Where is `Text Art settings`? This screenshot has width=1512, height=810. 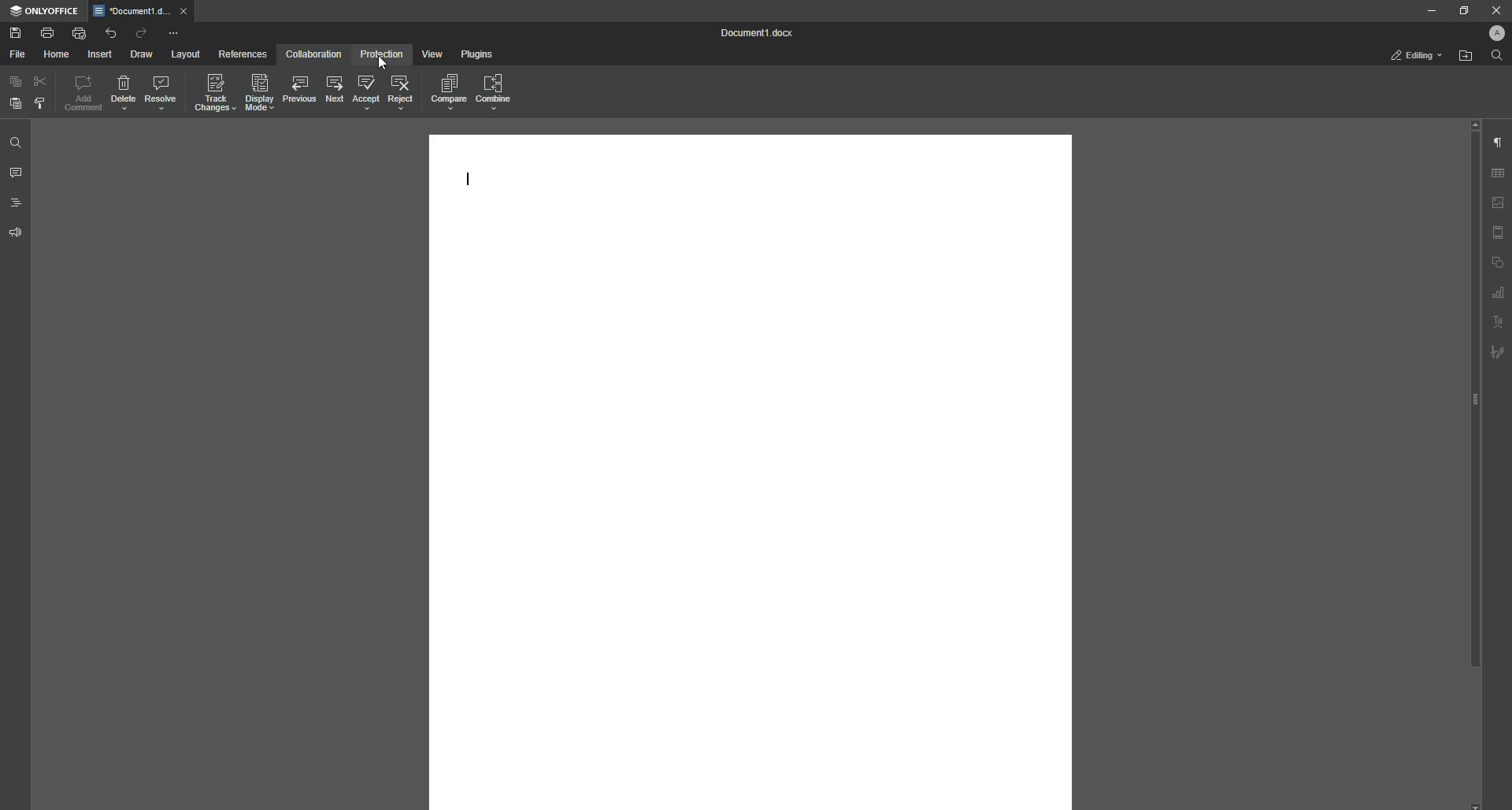 Text Art settings is located at coordinates (1499, 321).